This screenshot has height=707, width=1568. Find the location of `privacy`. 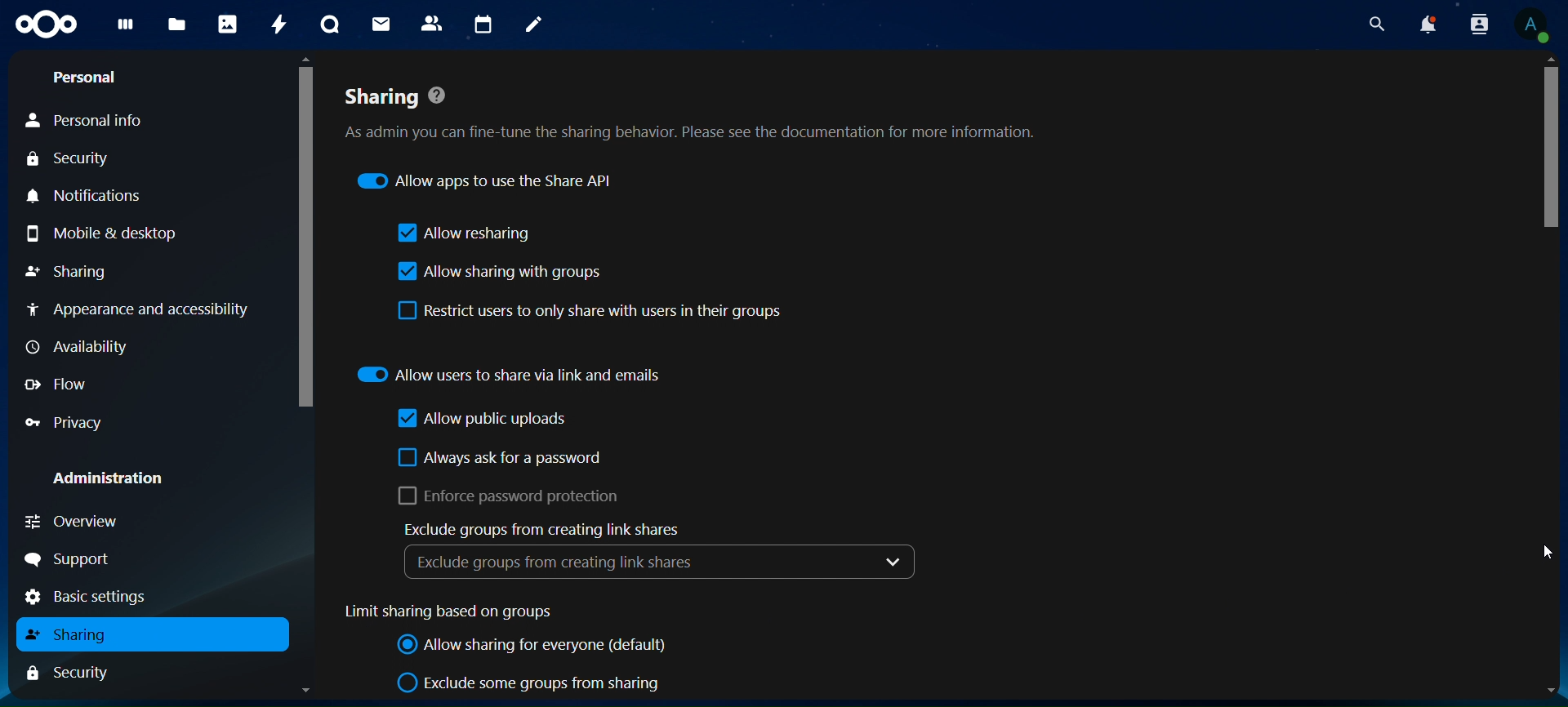

privacy is located at coordinates (72, 422).